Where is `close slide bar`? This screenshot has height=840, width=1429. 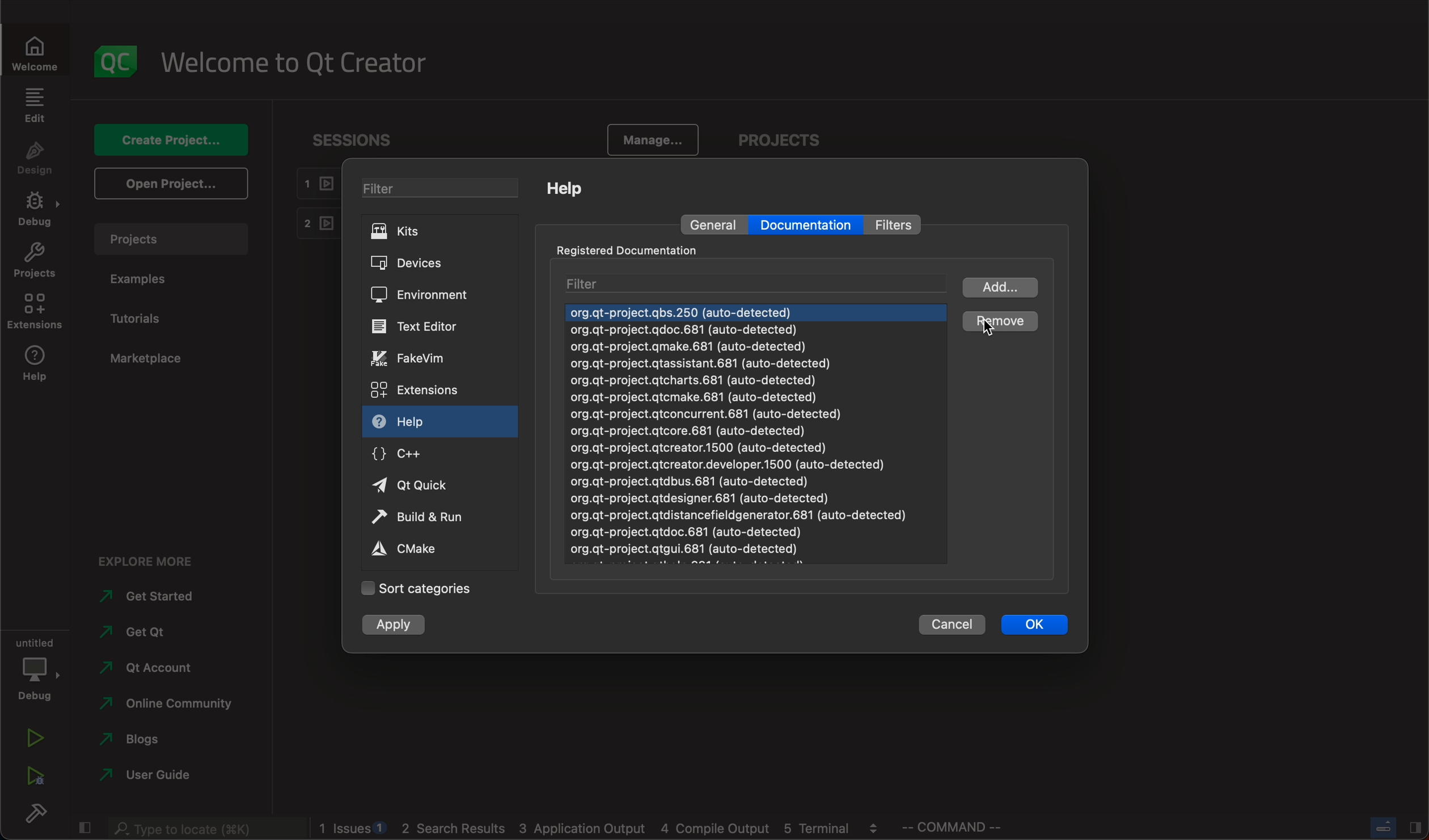
close slide bar is located at coordinates (88, 826).